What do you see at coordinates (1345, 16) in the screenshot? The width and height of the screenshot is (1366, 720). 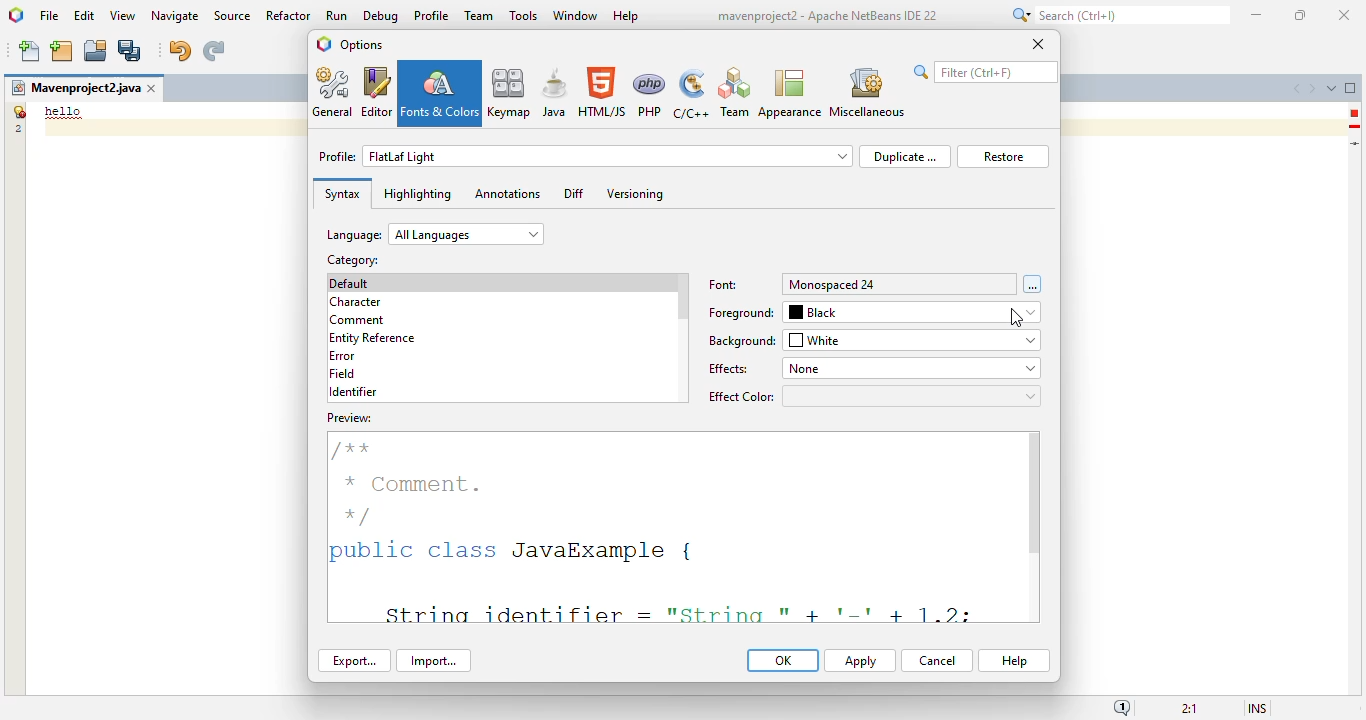 I see `close` at bounding box center [1345, 16].